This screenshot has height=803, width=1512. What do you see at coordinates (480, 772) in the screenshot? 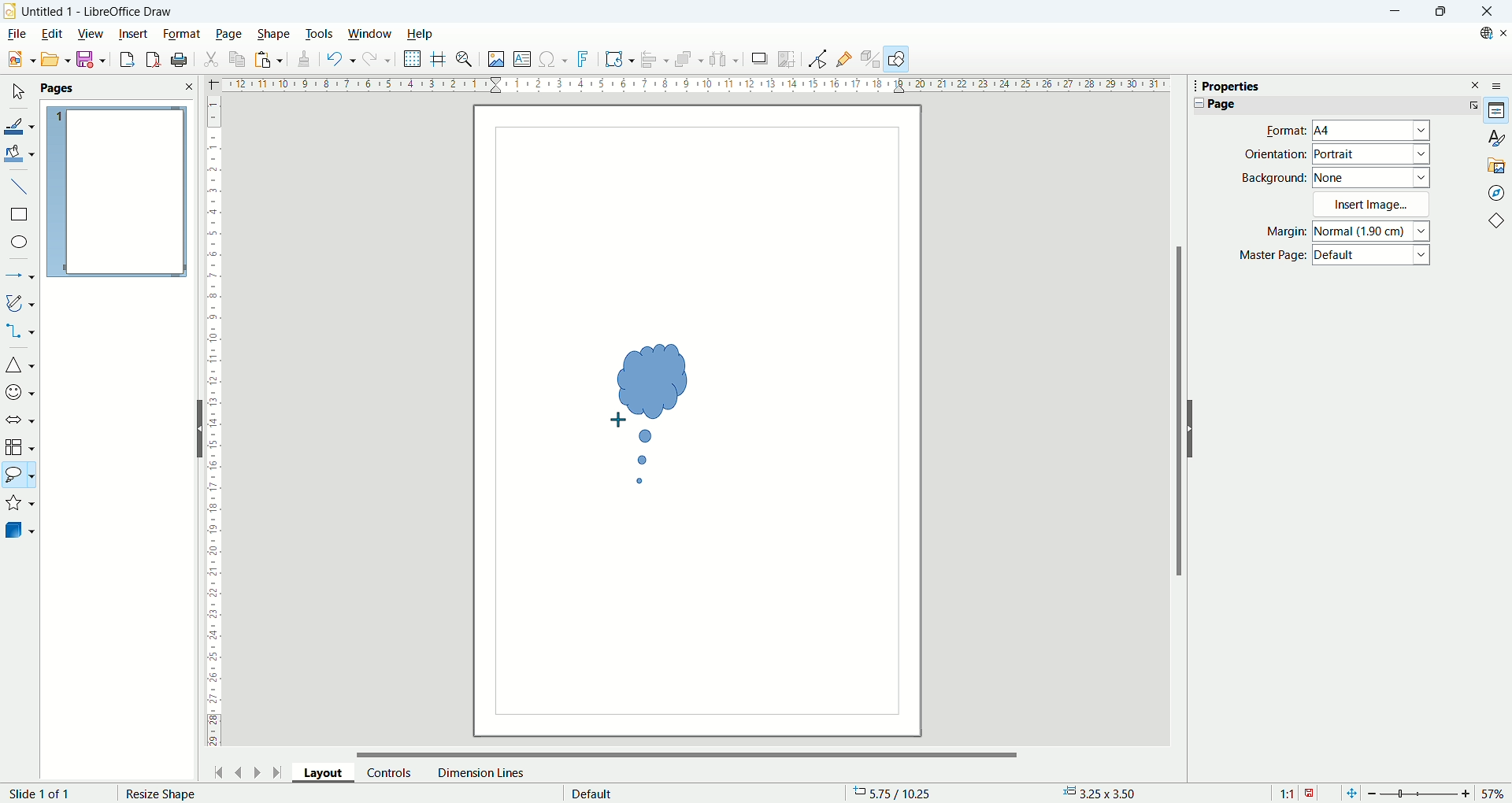
I see `dimension lines` at bounding box center [480, 772].